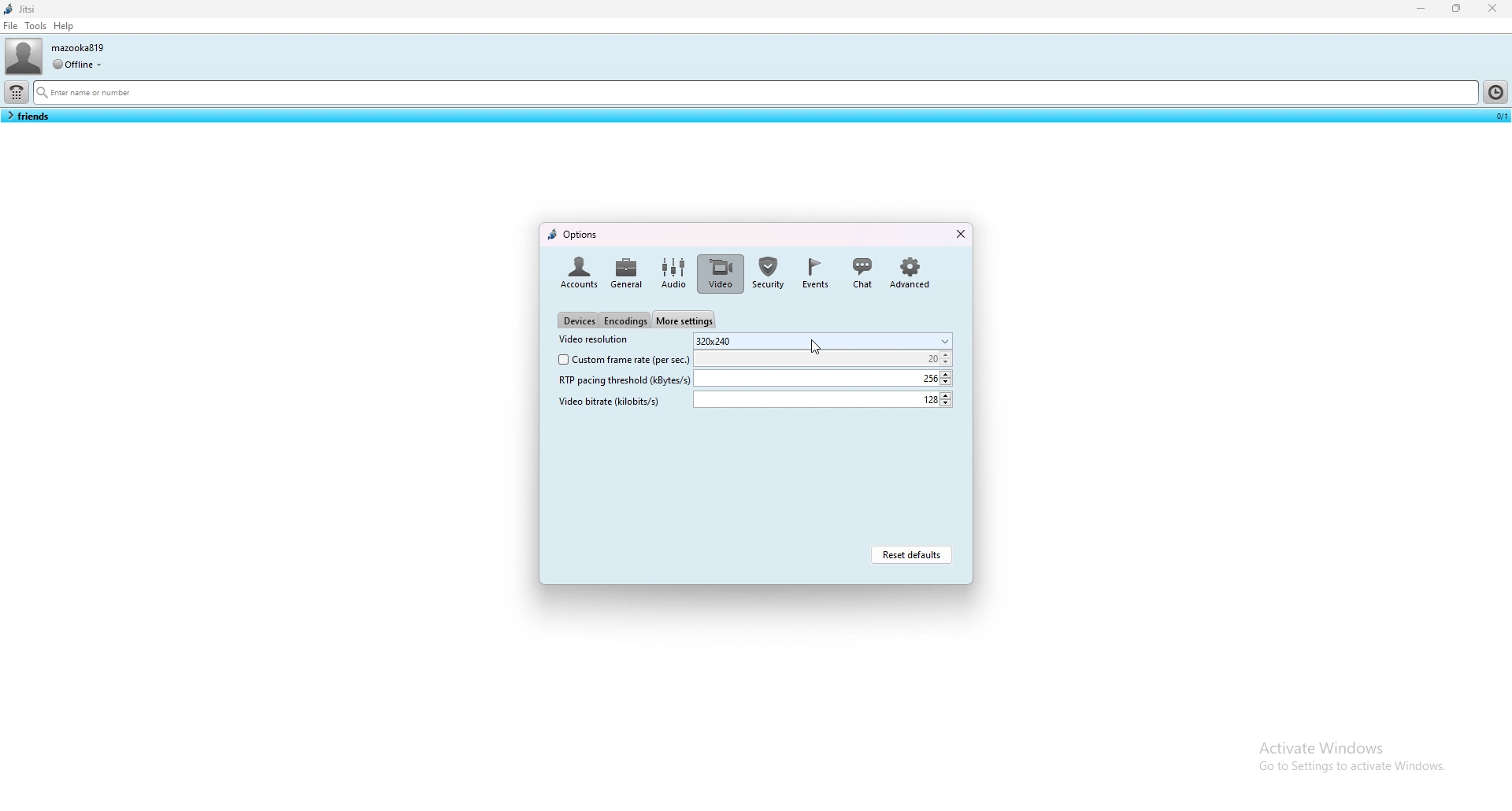  I want to click on selected, so click(1499, 115).